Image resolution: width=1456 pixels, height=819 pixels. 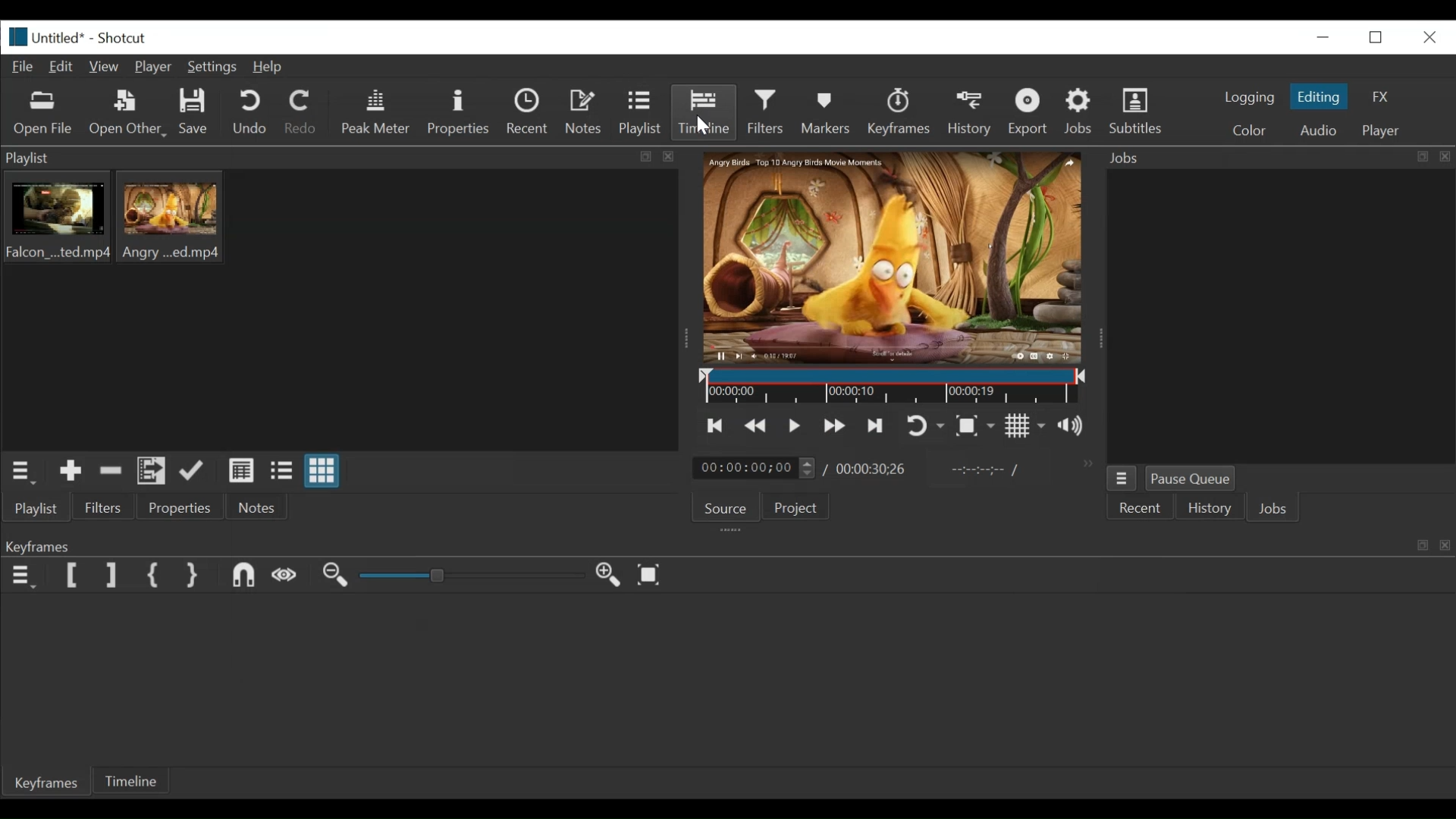 What do you see at coordinates (157, 68) in the screenshot?
I see `Player` at bounding box center [157, 68].